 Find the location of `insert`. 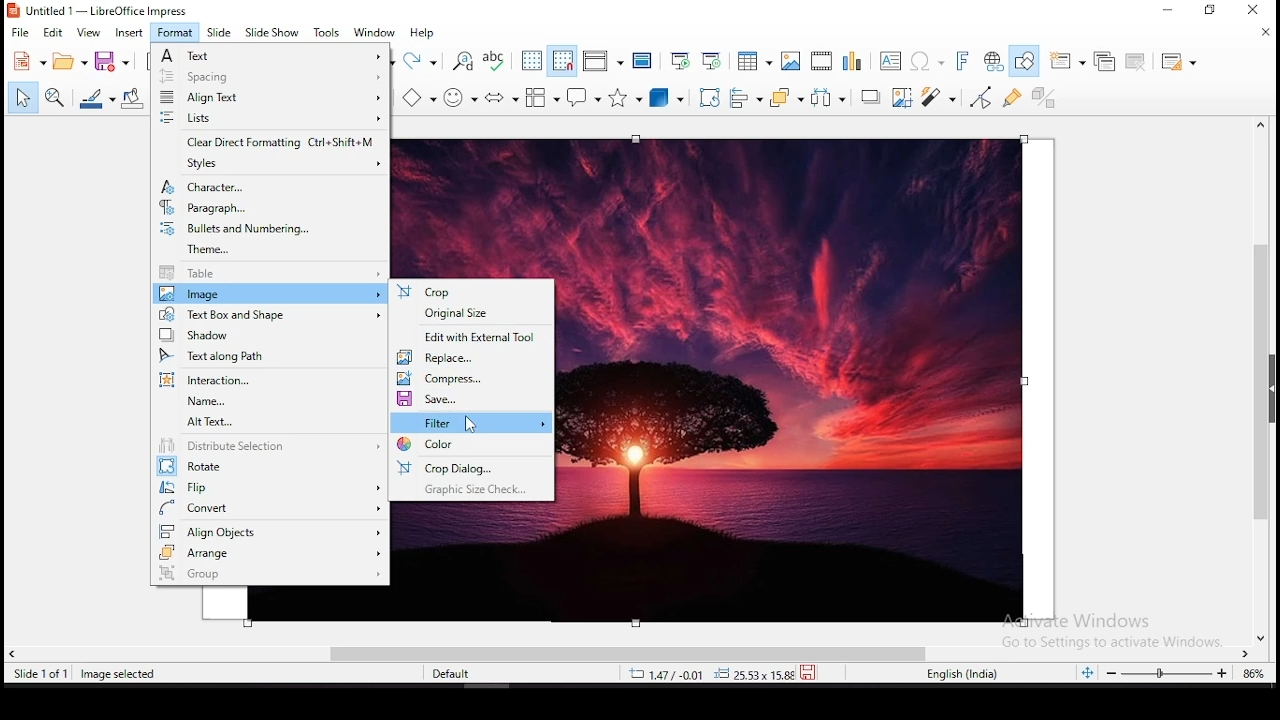

insert is located at coordinates (129, 33).